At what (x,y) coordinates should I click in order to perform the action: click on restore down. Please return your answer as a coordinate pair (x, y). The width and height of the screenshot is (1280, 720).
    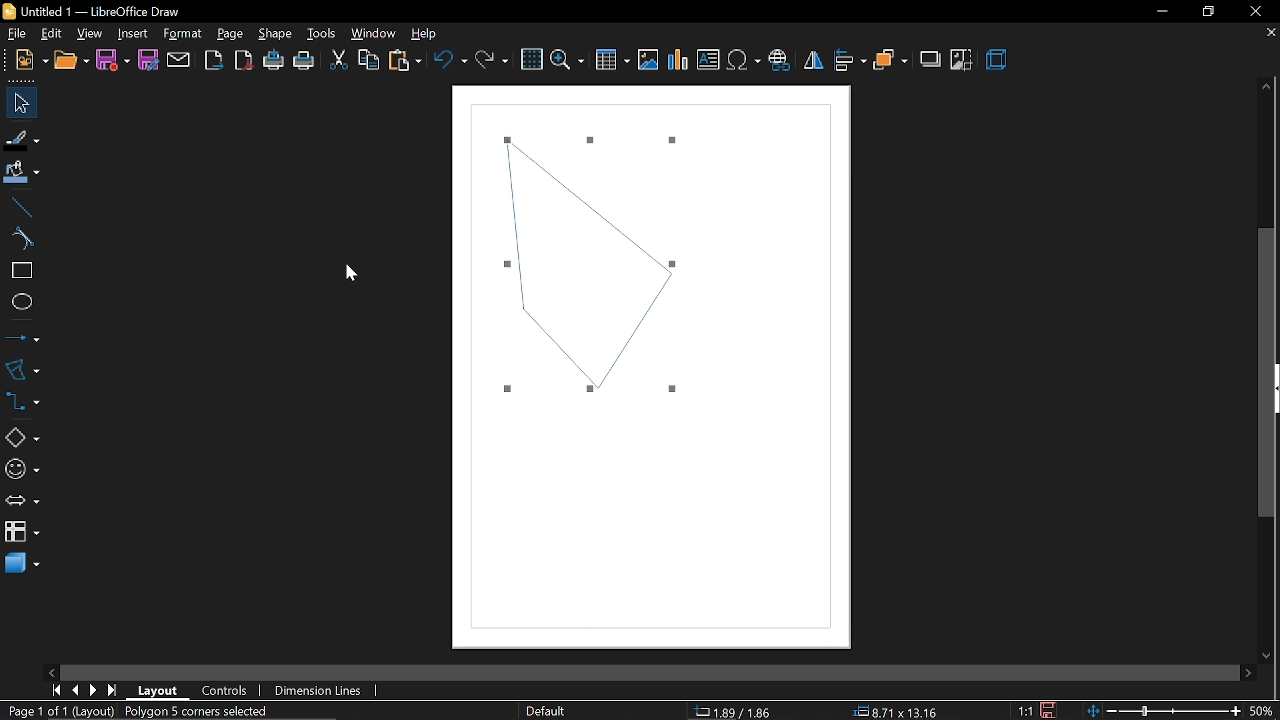
    Looking at the image, I should click on (1209, 11).